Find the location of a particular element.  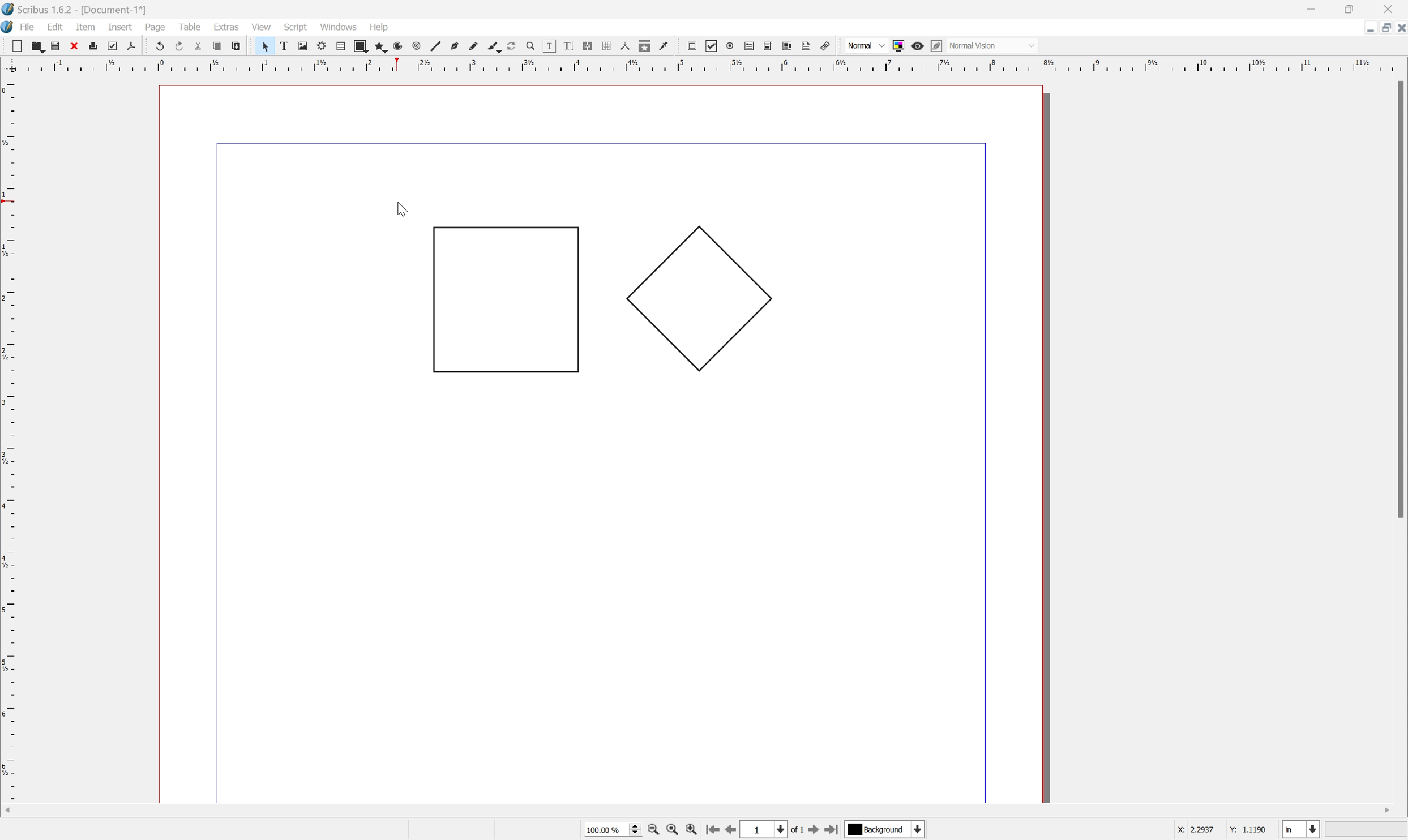

Ruler is located at coordinates (9, 437).